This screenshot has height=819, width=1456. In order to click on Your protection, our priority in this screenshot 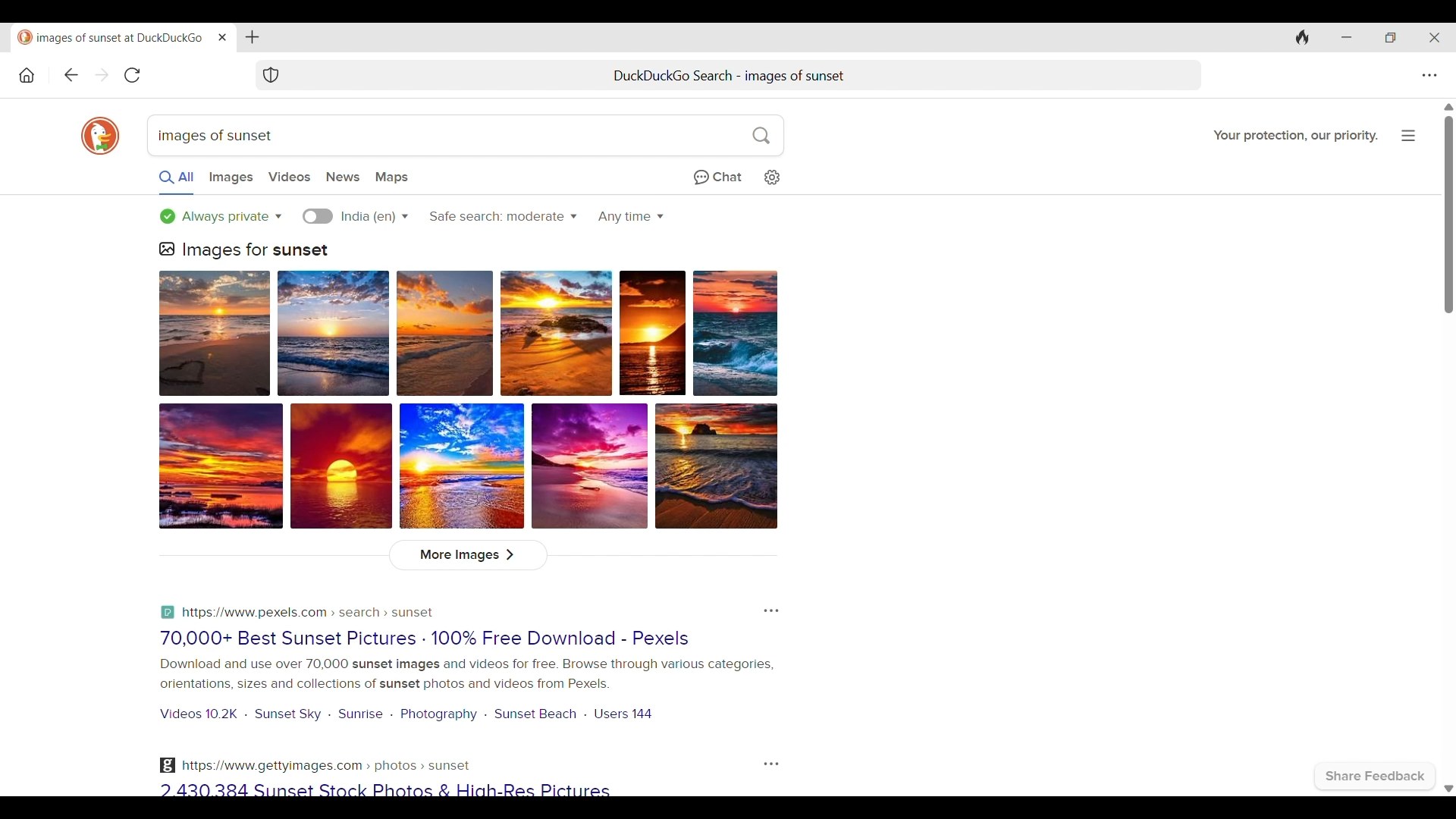, I will do `click(1296, 136)`.